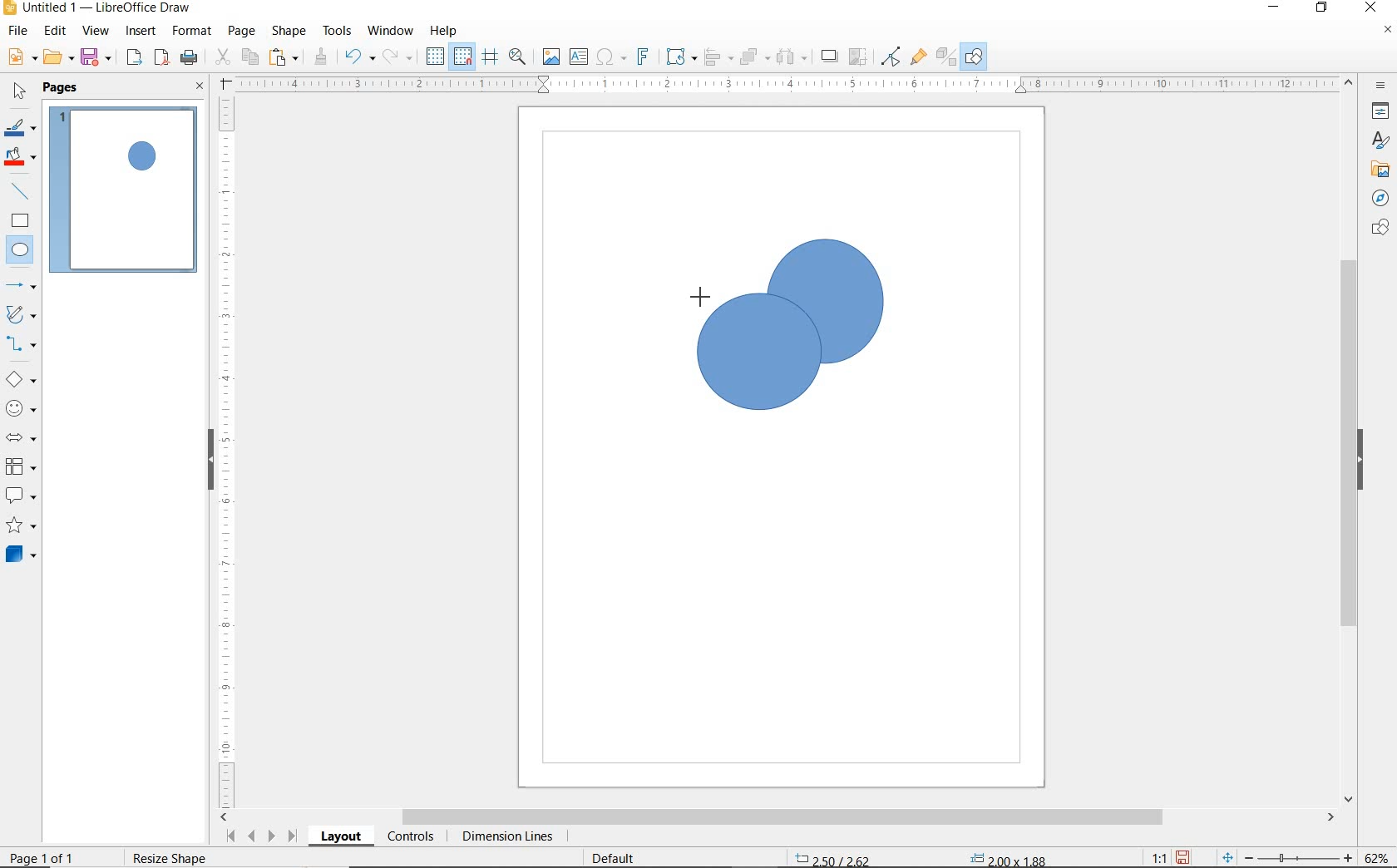 Image resolution: width=1397 pixels, height=868 pixels. I want to click on EDIT, so click(56, 31).